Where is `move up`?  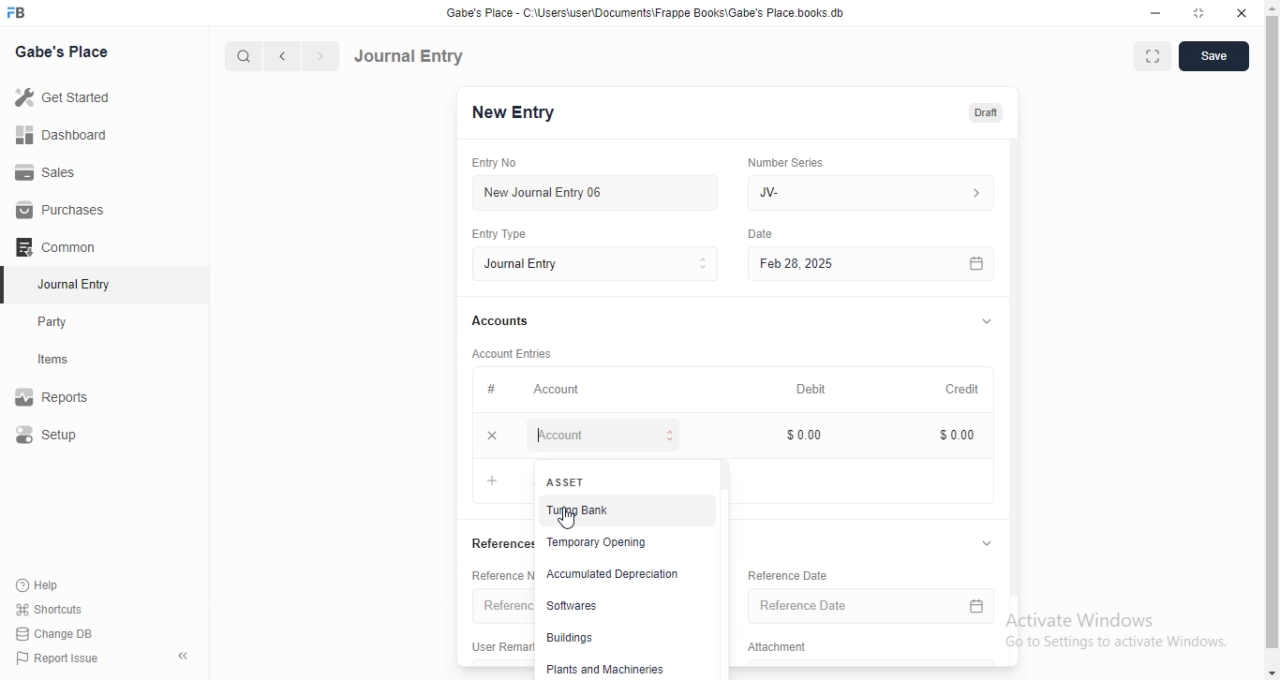
move up is located at coordinates (1272, 6).